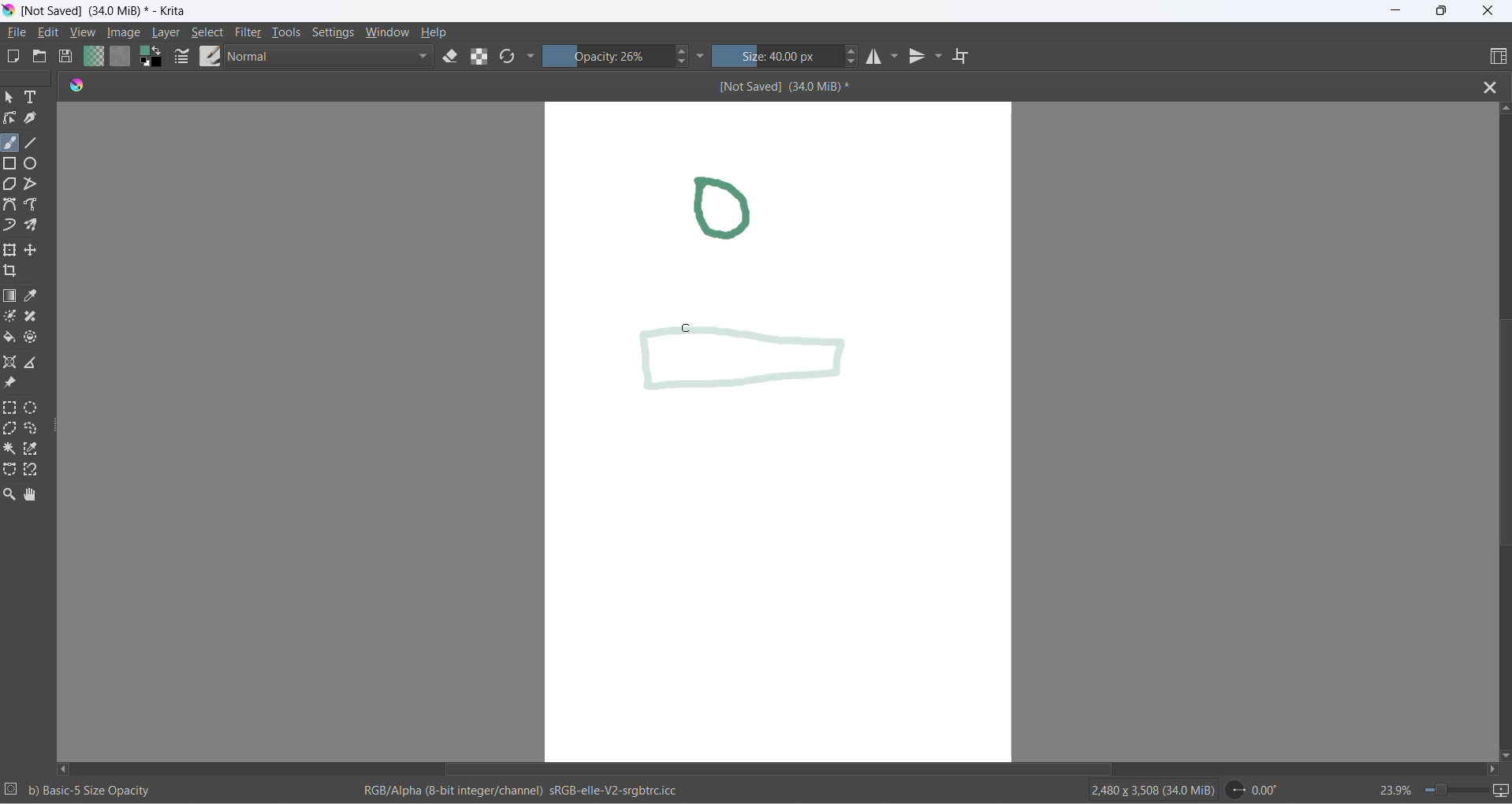 The image size is (1512, 804). I want to click on scroll up button, so click(1503, 109).